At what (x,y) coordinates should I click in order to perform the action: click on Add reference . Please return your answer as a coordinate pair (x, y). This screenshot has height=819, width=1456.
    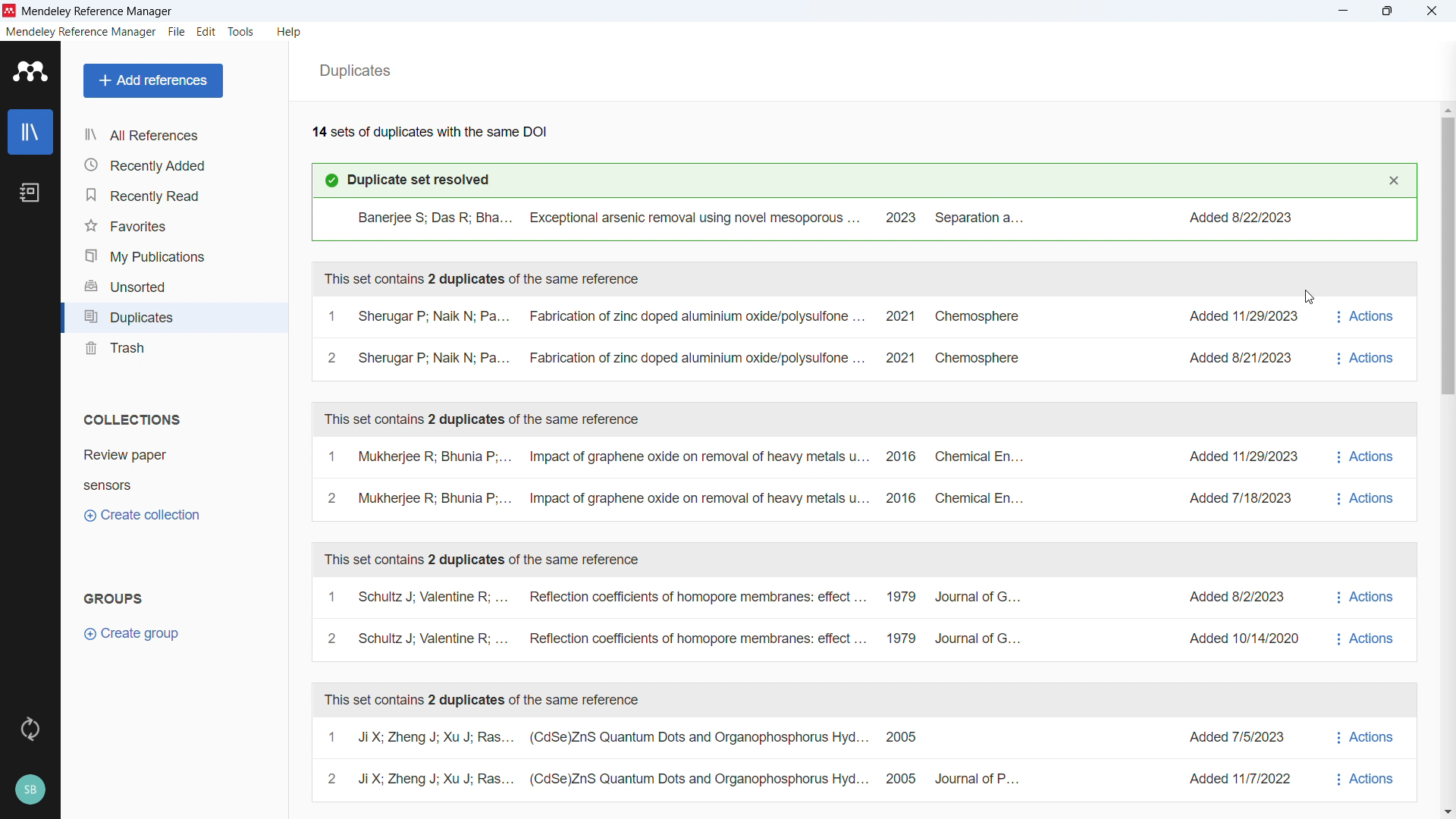
    Looking at the image, I should click on (152, 80).